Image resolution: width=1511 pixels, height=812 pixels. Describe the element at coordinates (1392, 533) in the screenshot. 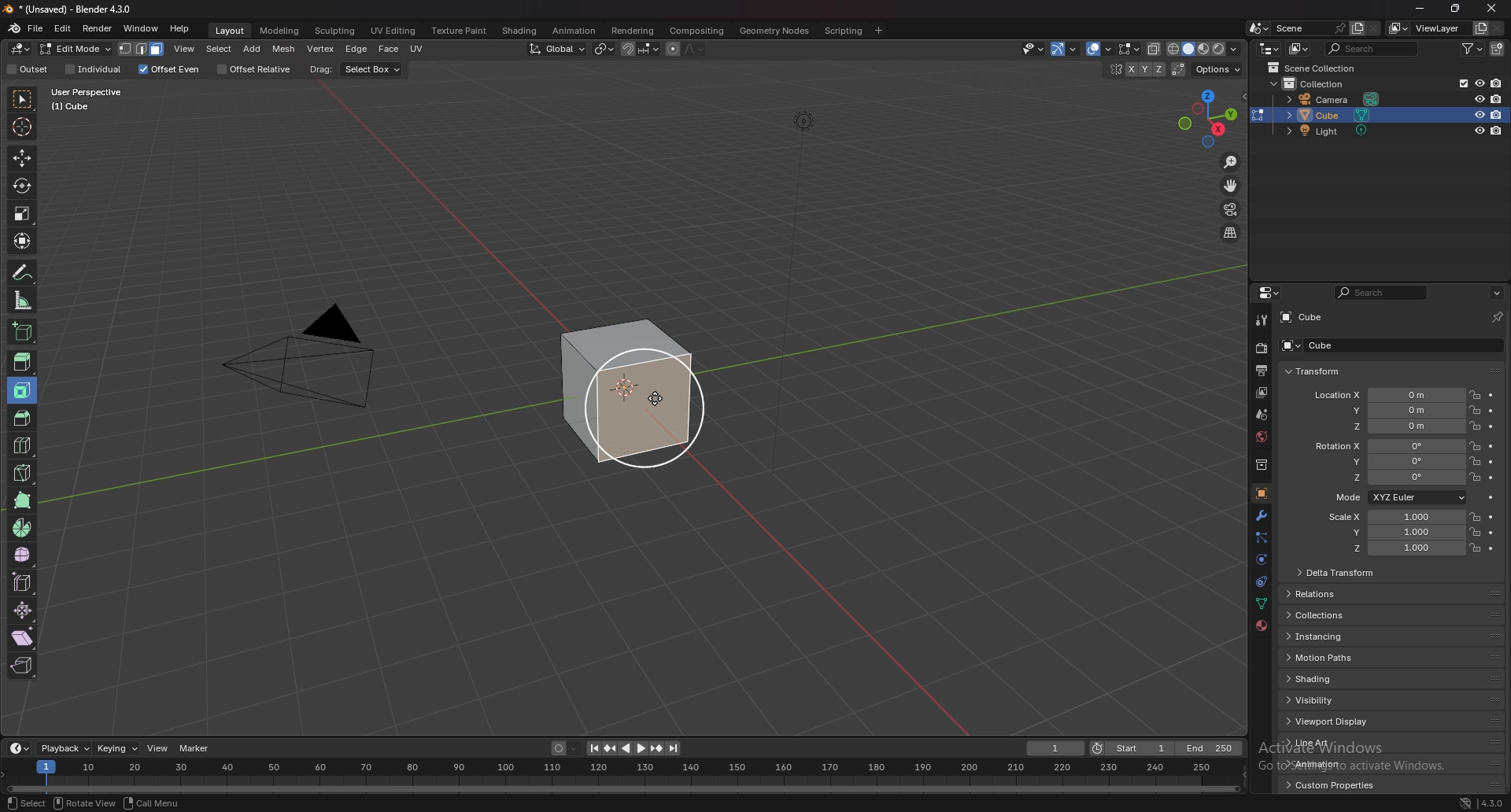

I see `scale y` at that location.